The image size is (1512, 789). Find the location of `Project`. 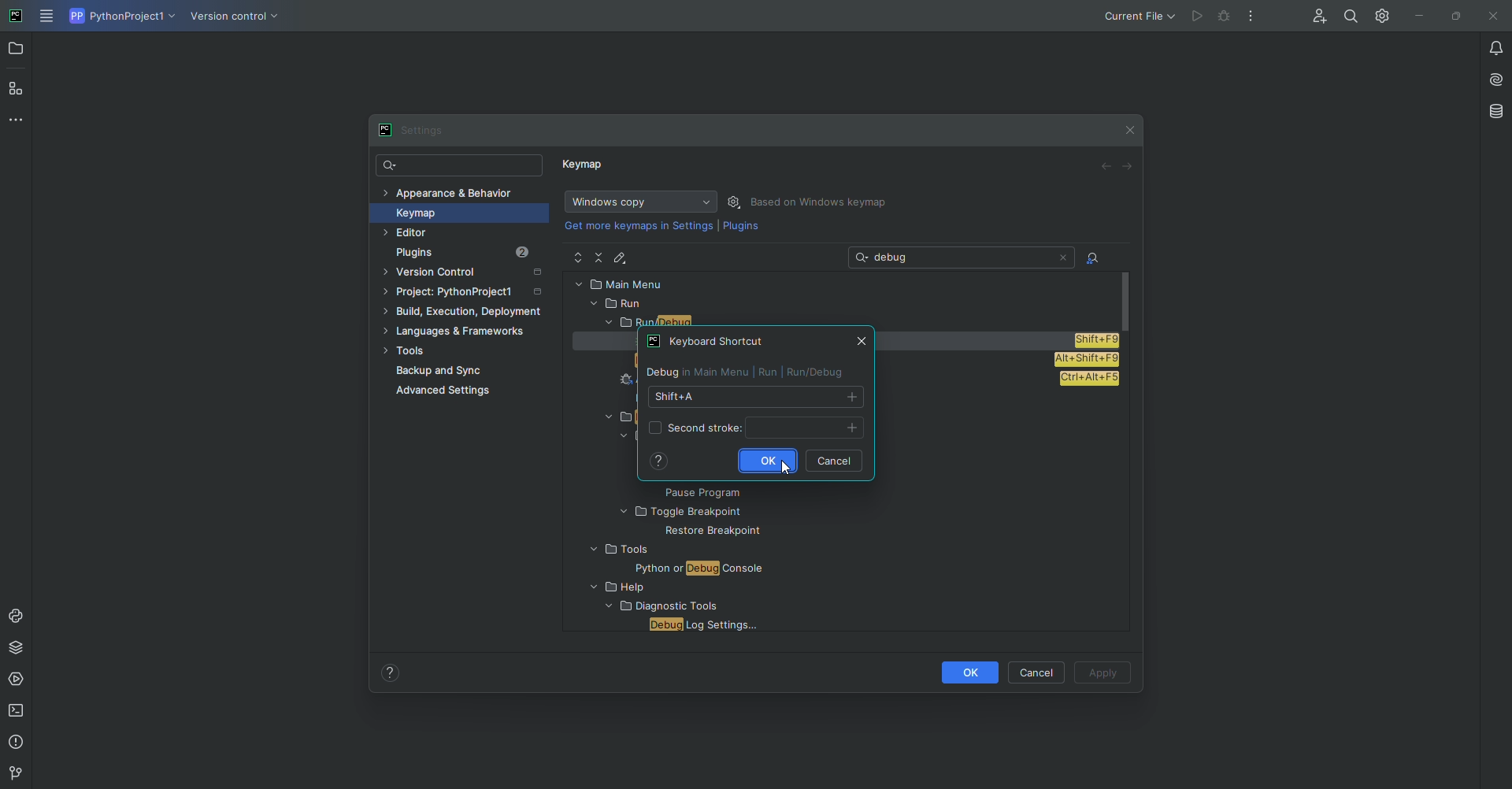

Project is located at coordinates (465, 294).